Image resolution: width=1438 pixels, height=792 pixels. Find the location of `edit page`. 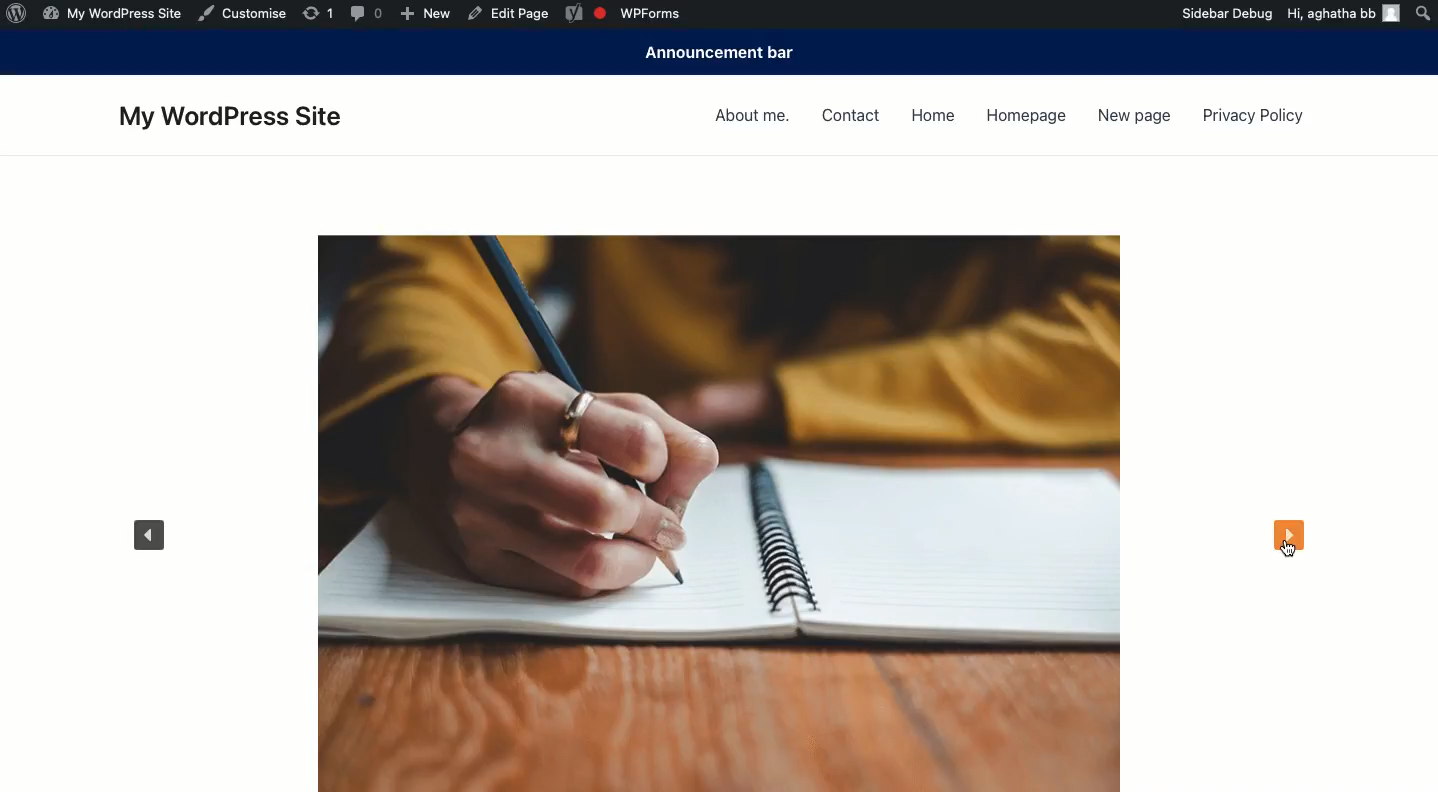

edit page is located at coordinates (509, 14).